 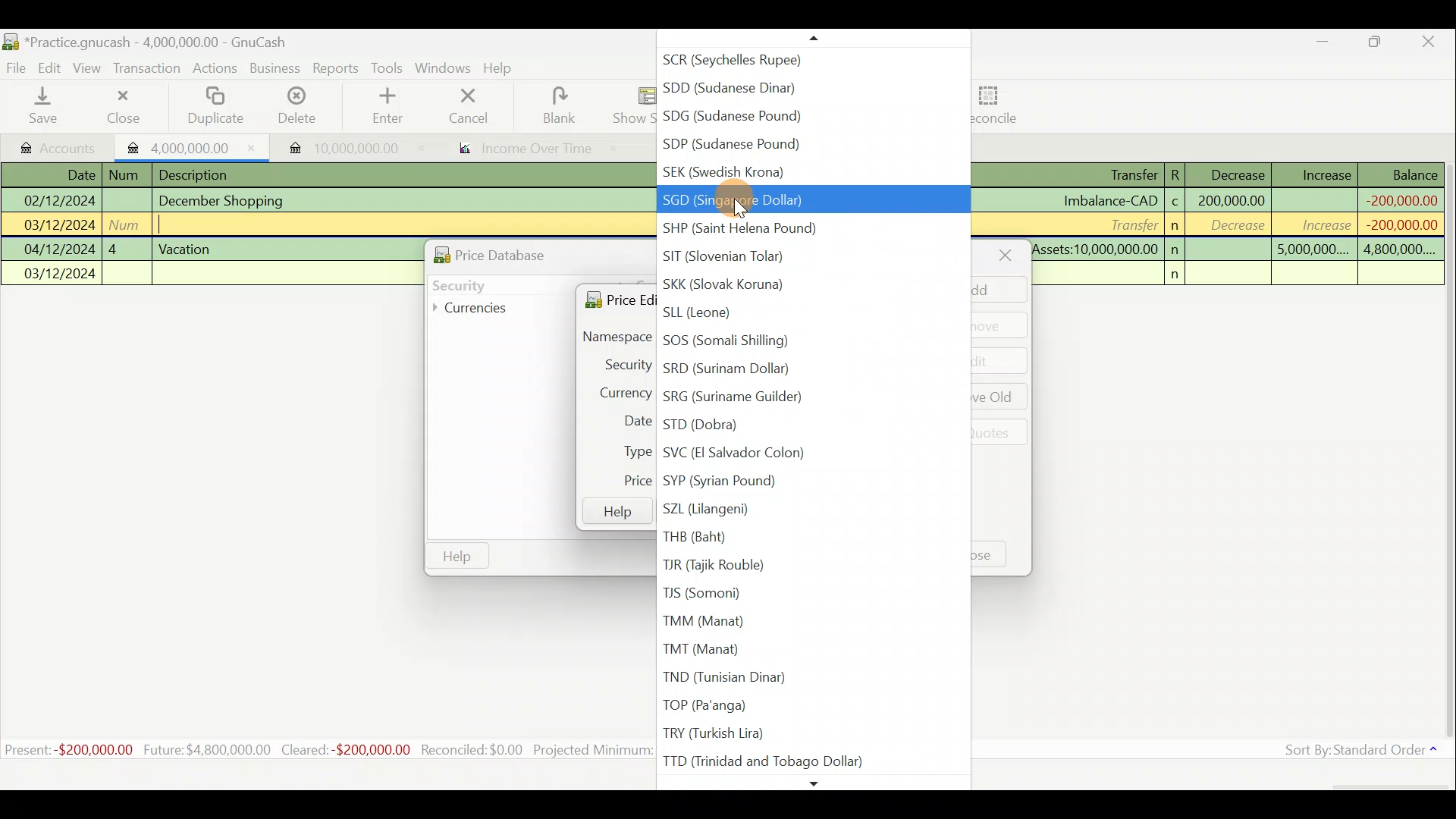 What do you see at coordinates (298, 106) in the screenshot?
I see `Delete` at bounding box center [298, 106].